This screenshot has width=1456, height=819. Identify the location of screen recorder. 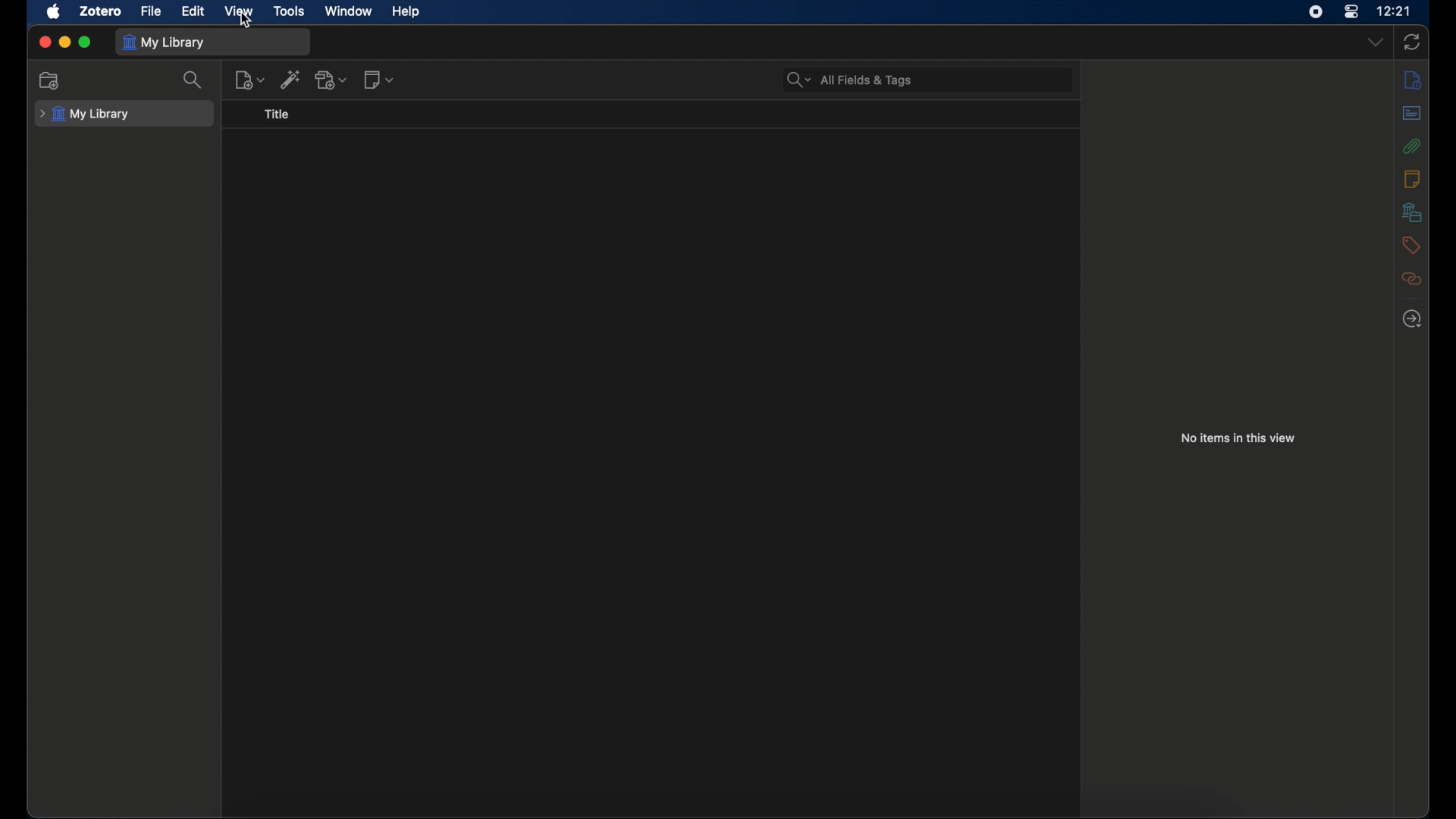
(1316, 12).